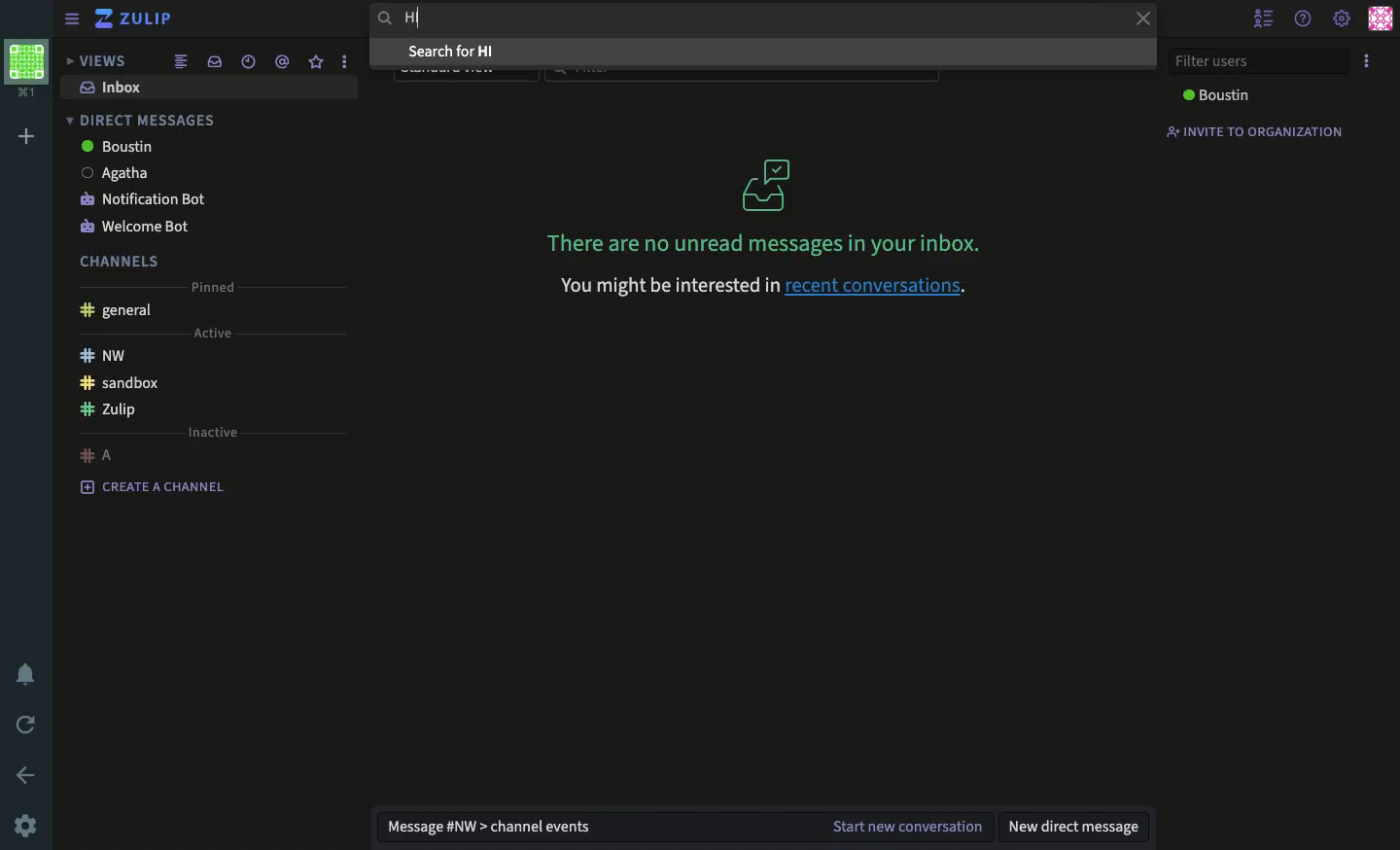 The image size is (1400, 850). I want to click on add workspace, so click(28, 133).